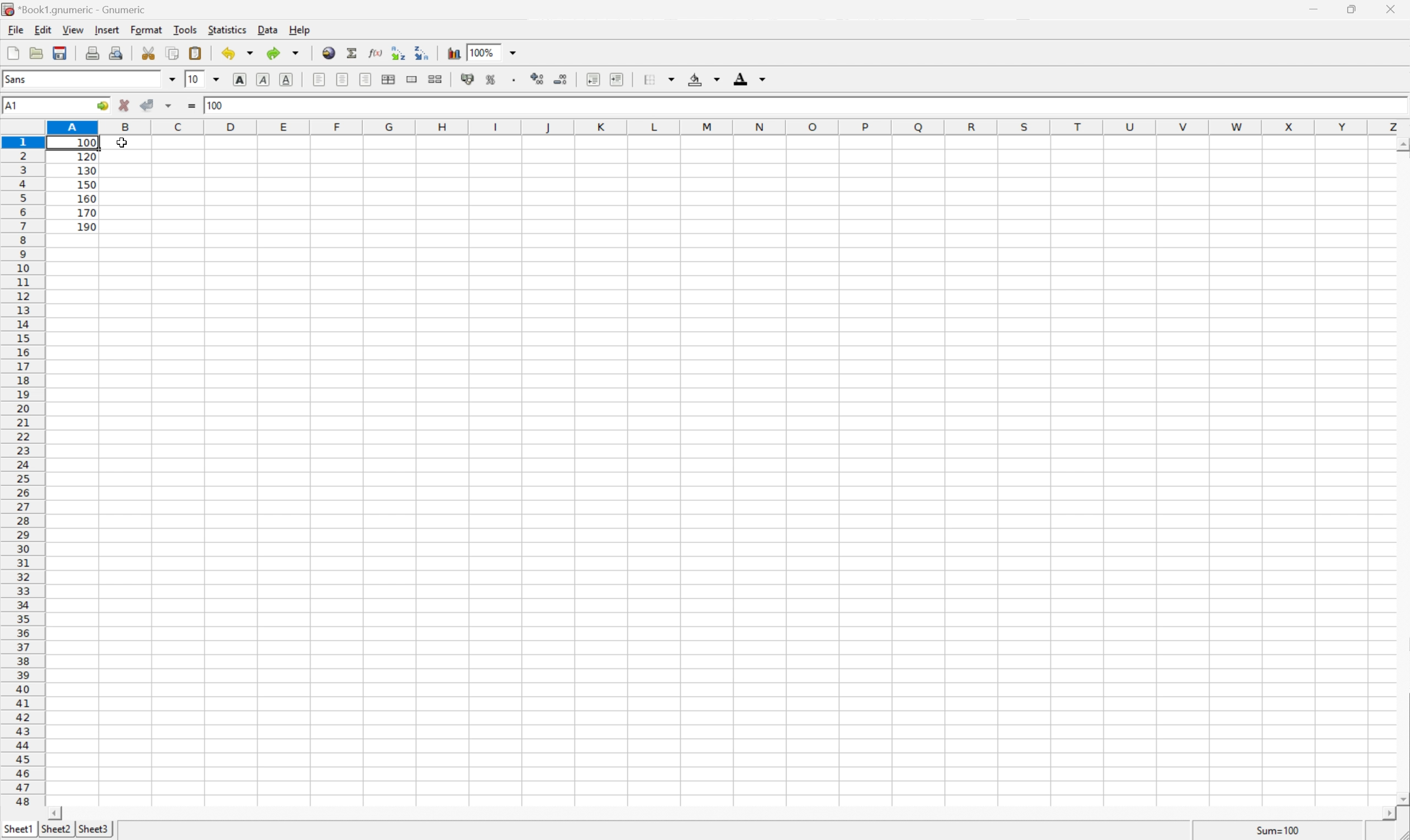 This screenshot has height=840, width=1410. Describe the element at coordinates (539, 79) in the screenshot. I see `Increase the number of decimals displayed` at that location.